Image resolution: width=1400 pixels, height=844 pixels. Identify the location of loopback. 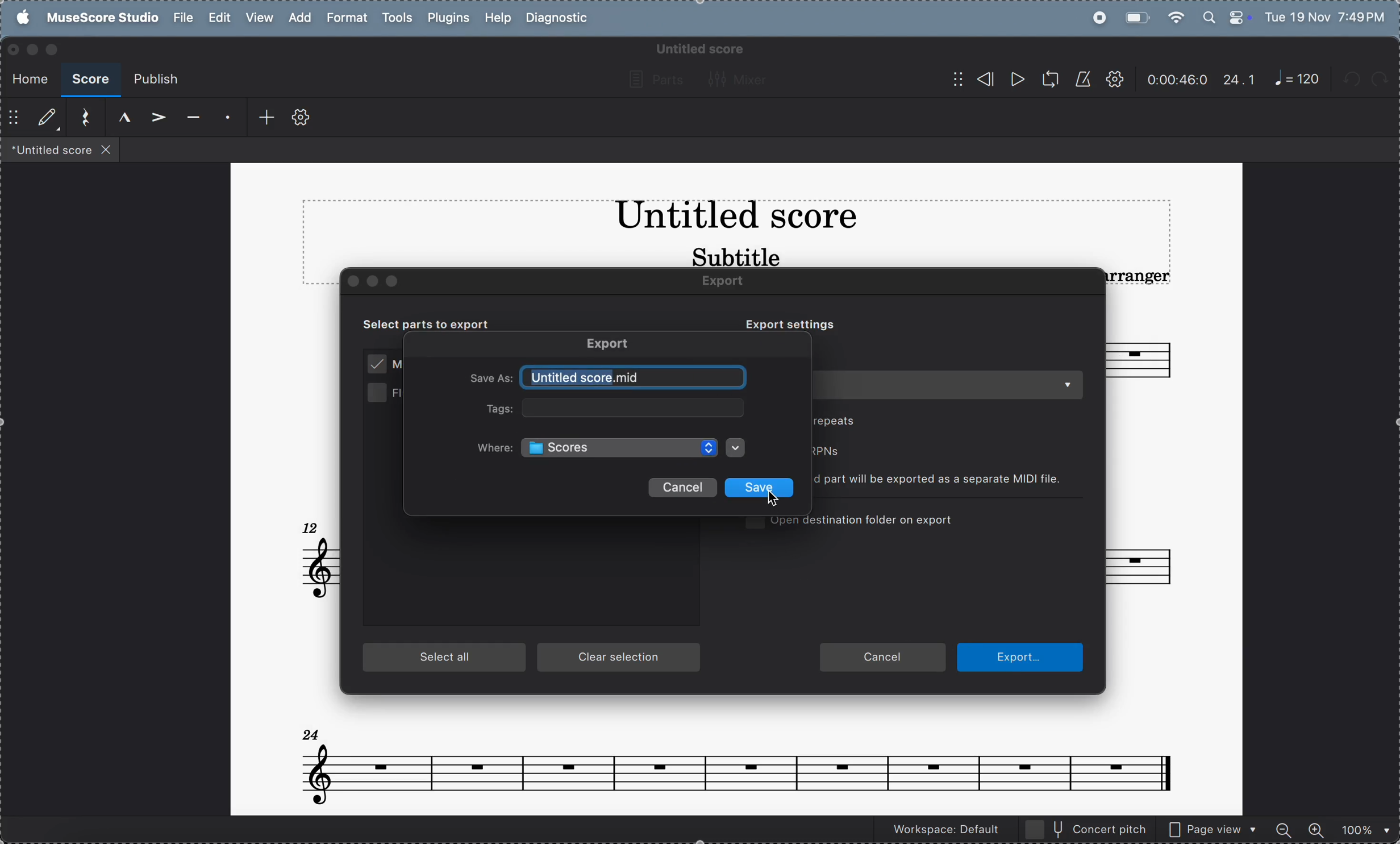
(1046, 80).